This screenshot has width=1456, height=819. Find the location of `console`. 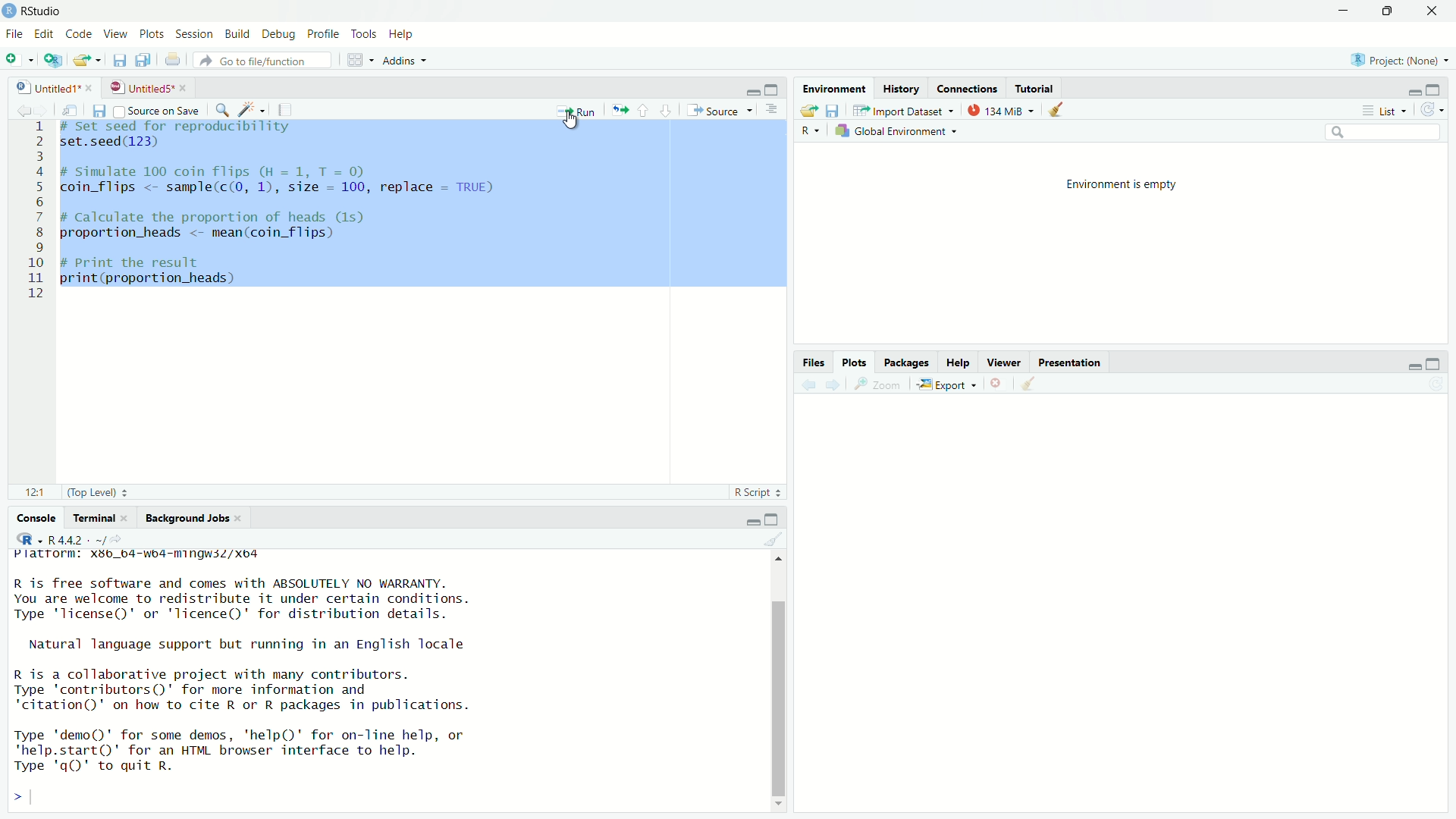

console is located at coordinates (29, 519).